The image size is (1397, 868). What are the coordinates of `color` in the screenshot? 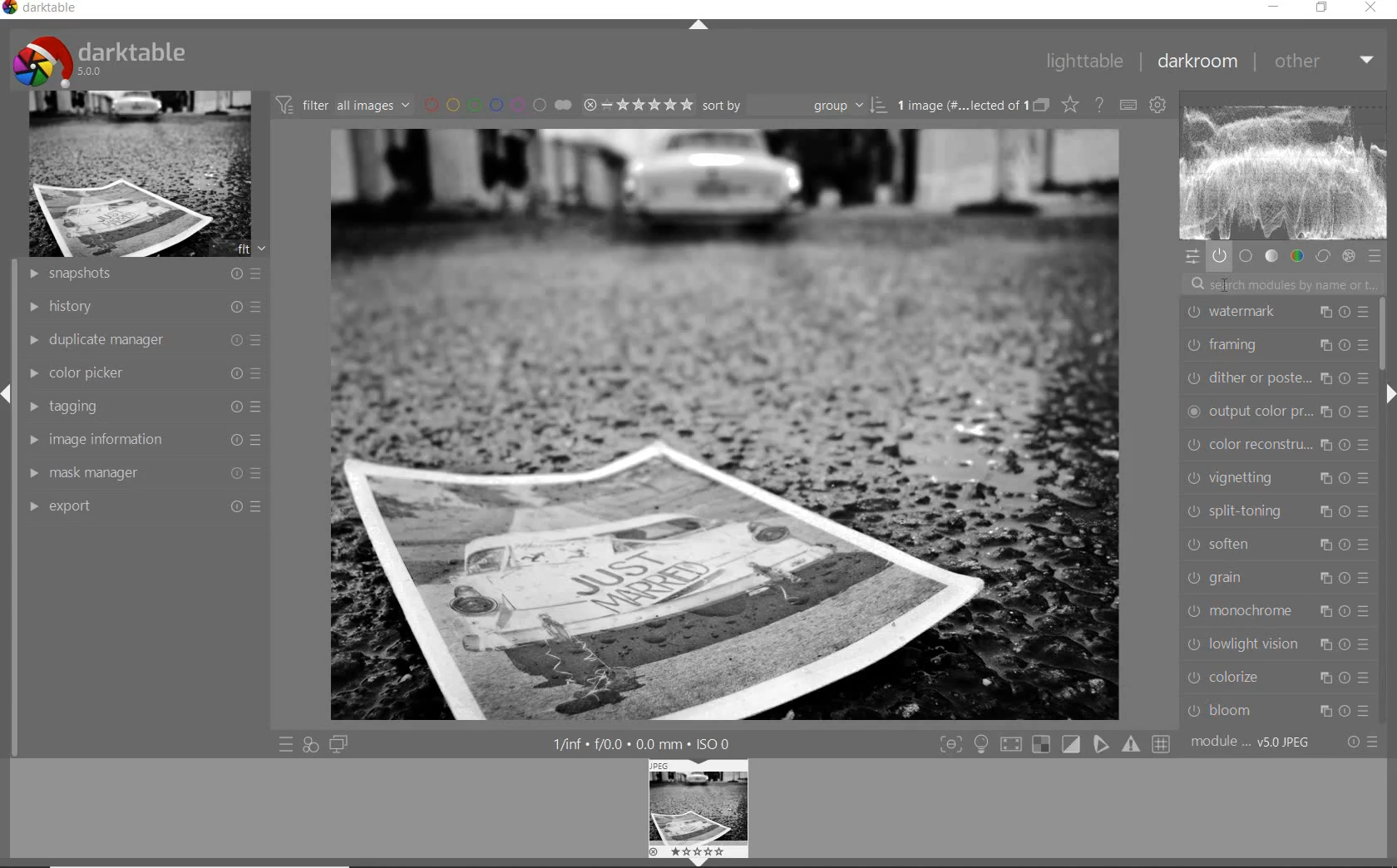 It's located at (1296, 257).